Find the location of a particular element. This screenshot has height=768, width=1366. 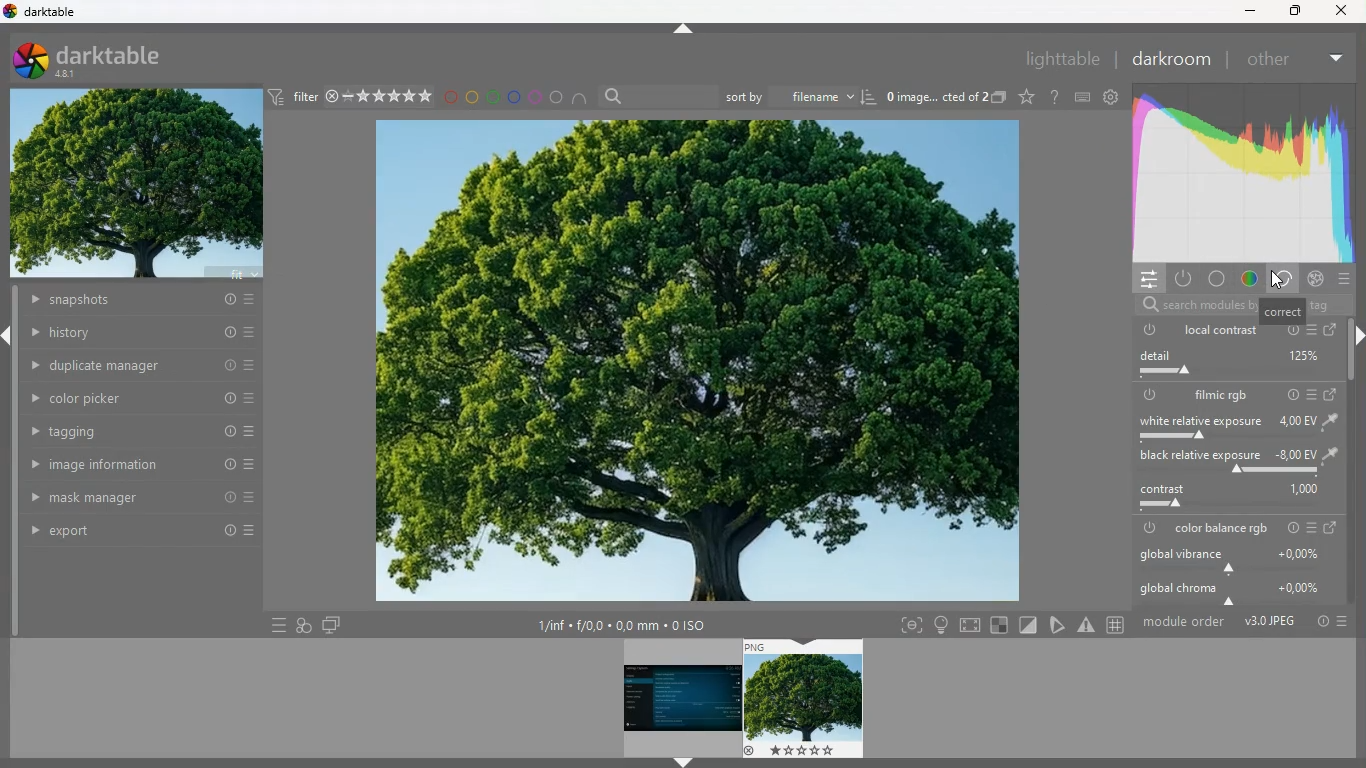

module order is located at coordinates (1186, 624).